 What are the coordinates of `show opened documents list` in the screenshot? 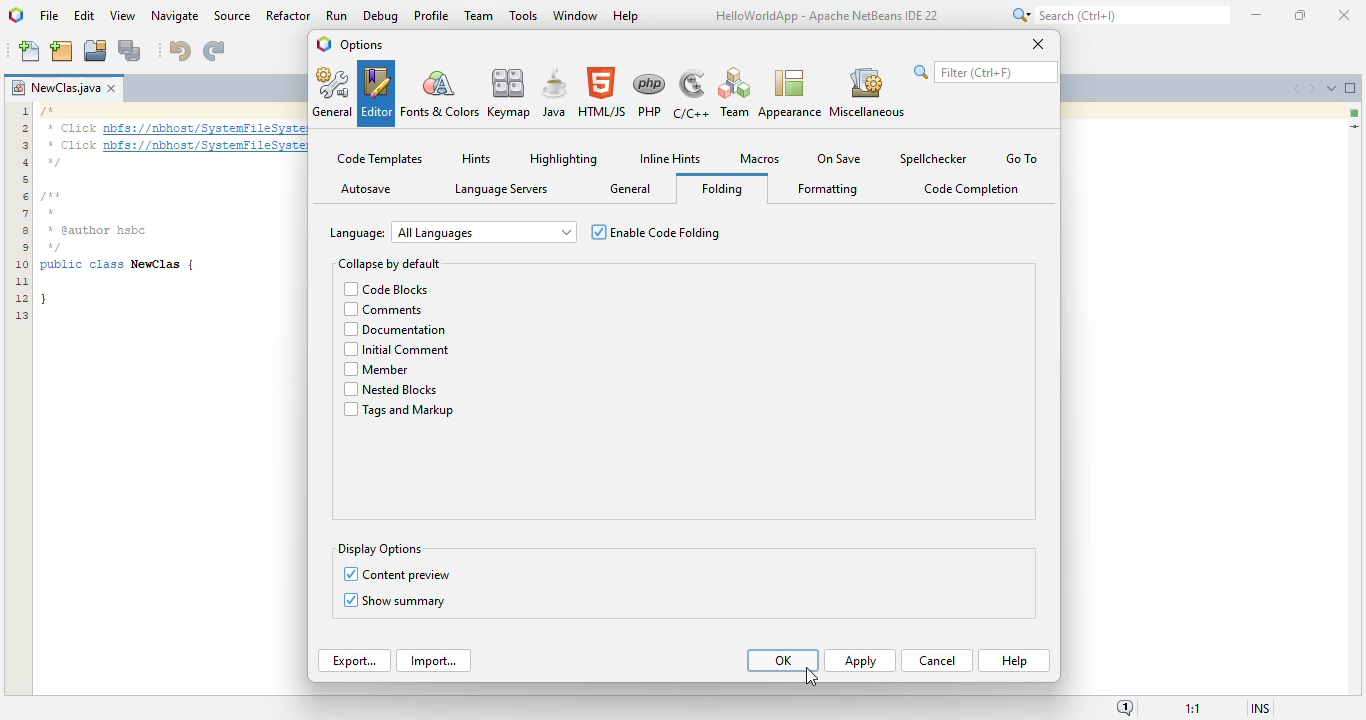 It's located at (1330, 87).